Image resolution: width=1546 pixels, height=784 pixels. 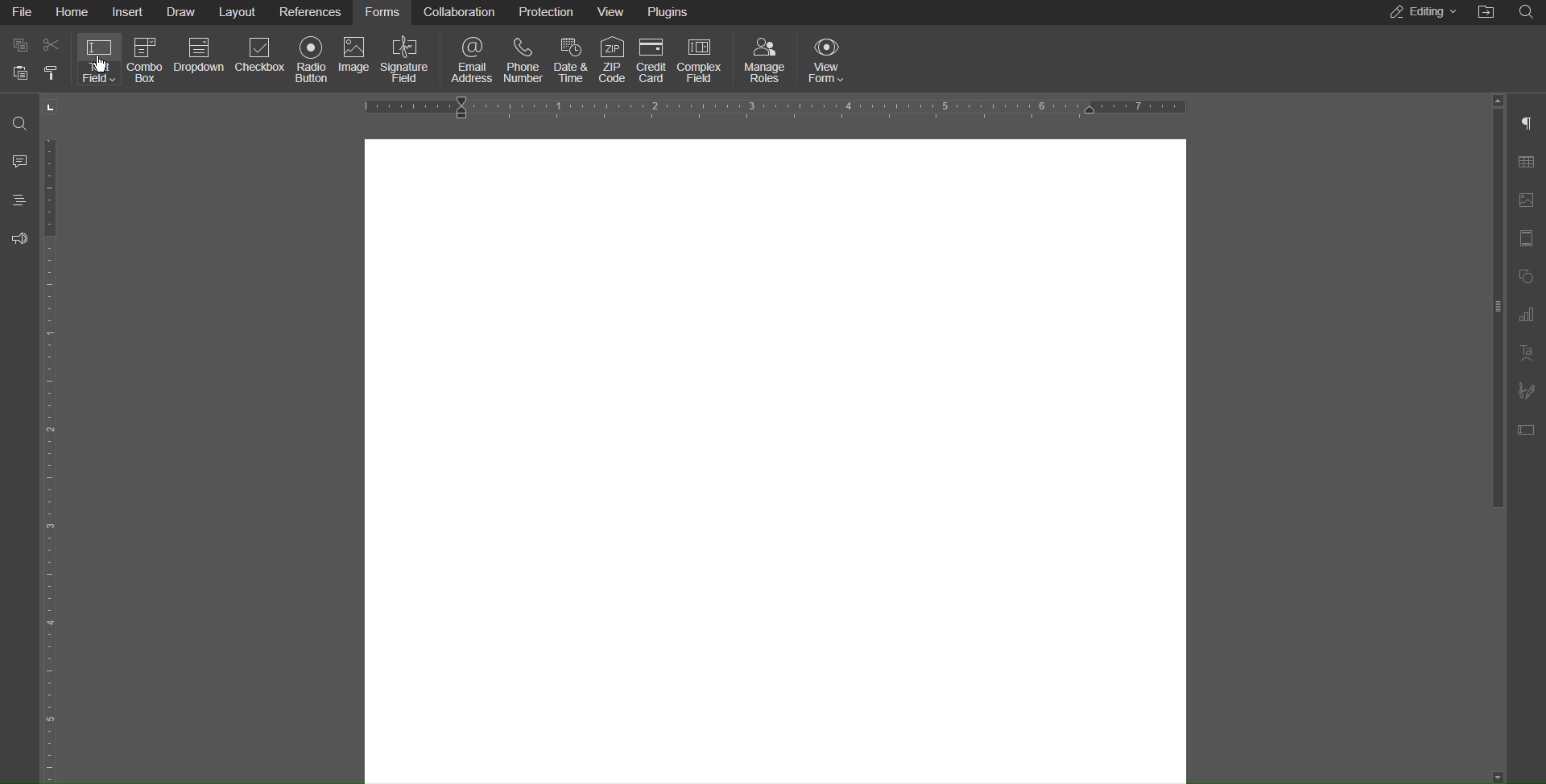 I want to click on Editing, so click(x=1419, y=13).